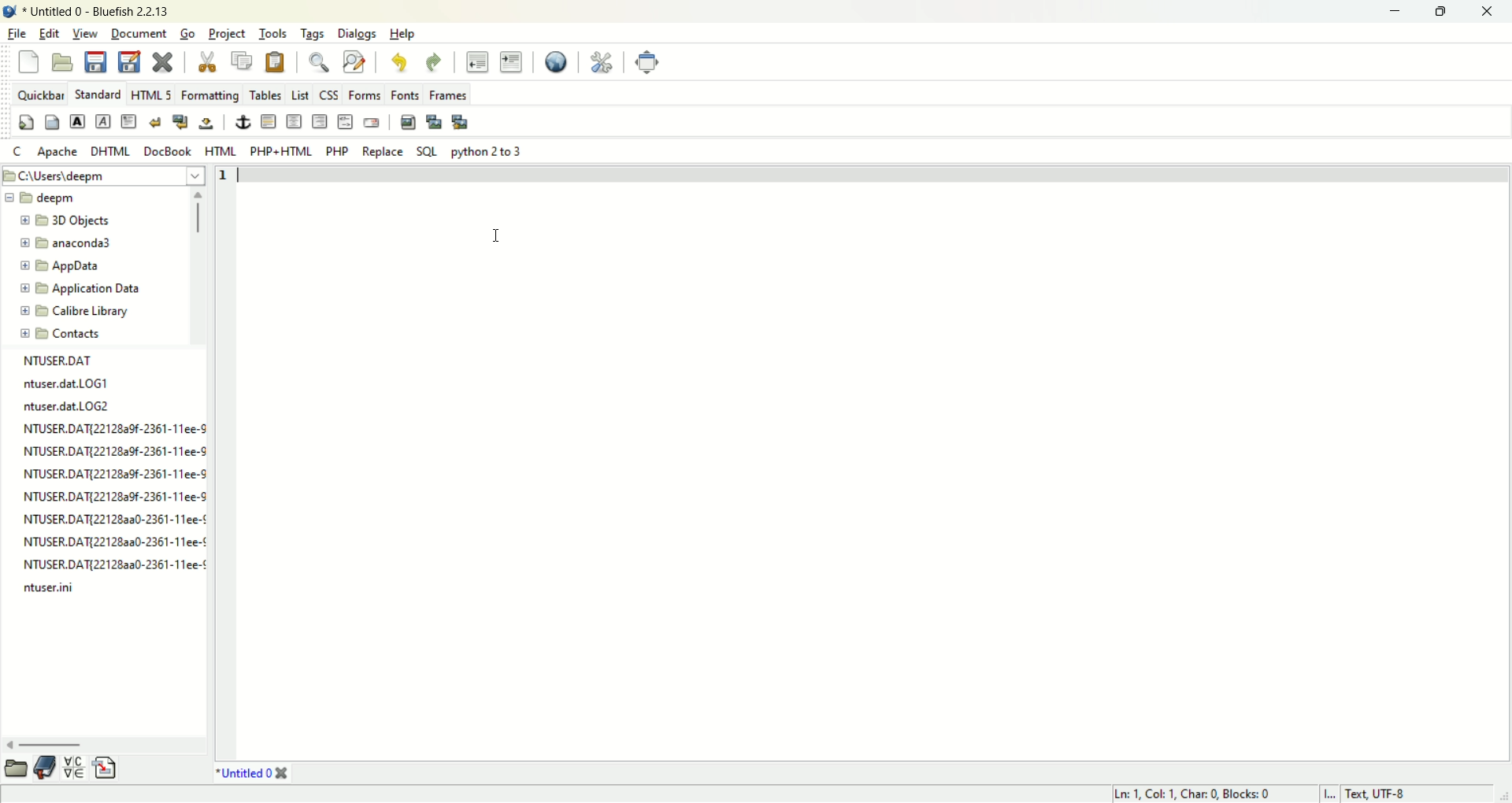  Describe the element at coordinates (98, 92) in the screenshot. I see `STANDARD` at that location.